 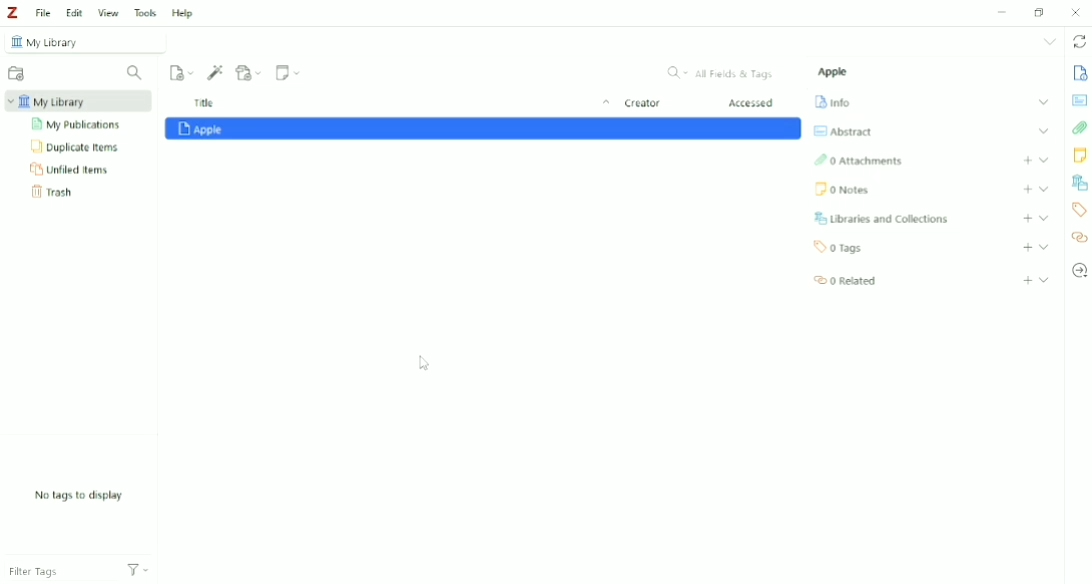 What do you see at coordinates (1079, 128) in the screenshot?
I see `Attachments` at bounding box center [1079, 128].